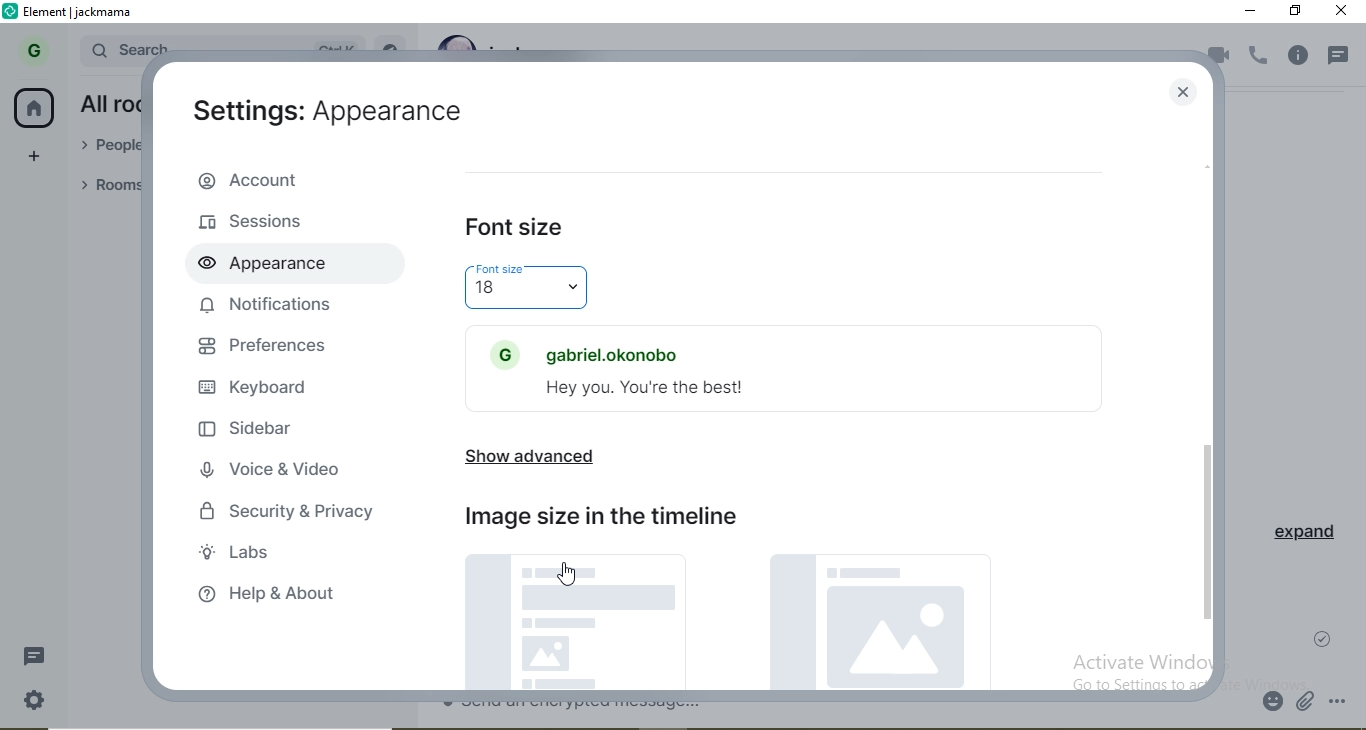 Image resolution: width=1366 pixels, height=730 pixels. Describe the element at coordinates (244, 423) in the screenshot. I see `sidebar` at that location.